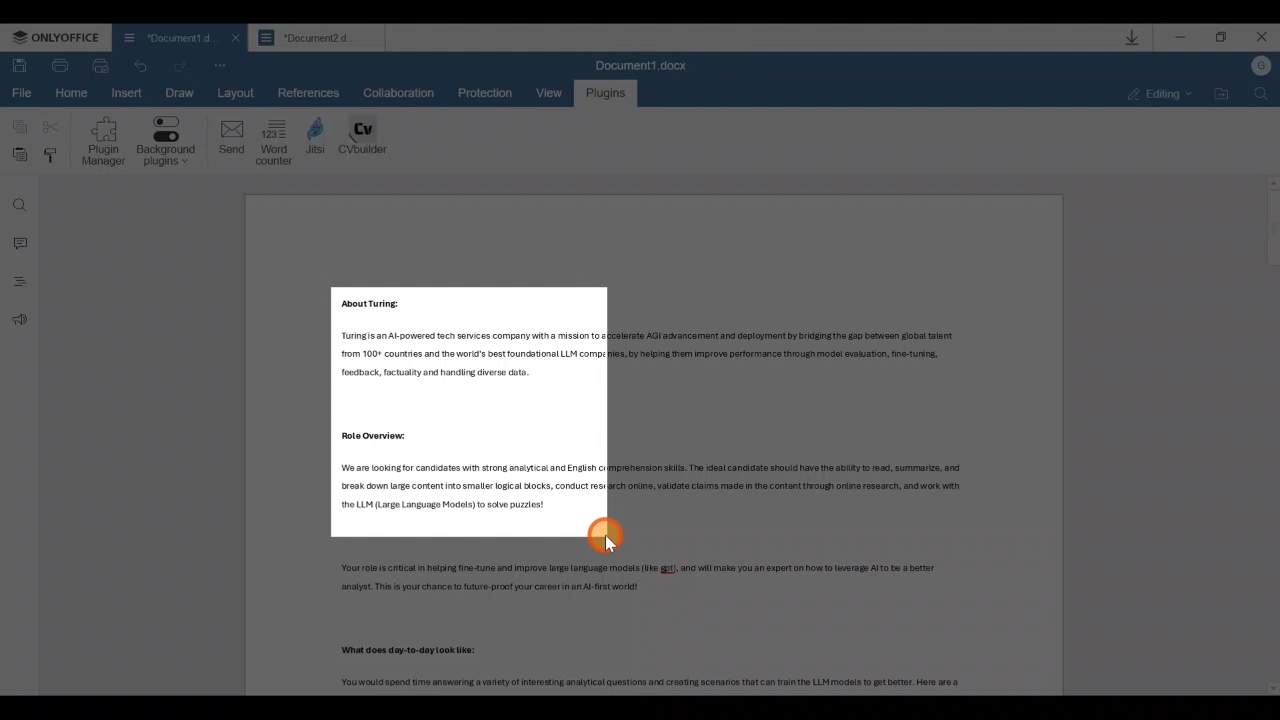 Image resolution: width=1280 pixels, height=720 pixels. I want to click on View, so click(554, 89).